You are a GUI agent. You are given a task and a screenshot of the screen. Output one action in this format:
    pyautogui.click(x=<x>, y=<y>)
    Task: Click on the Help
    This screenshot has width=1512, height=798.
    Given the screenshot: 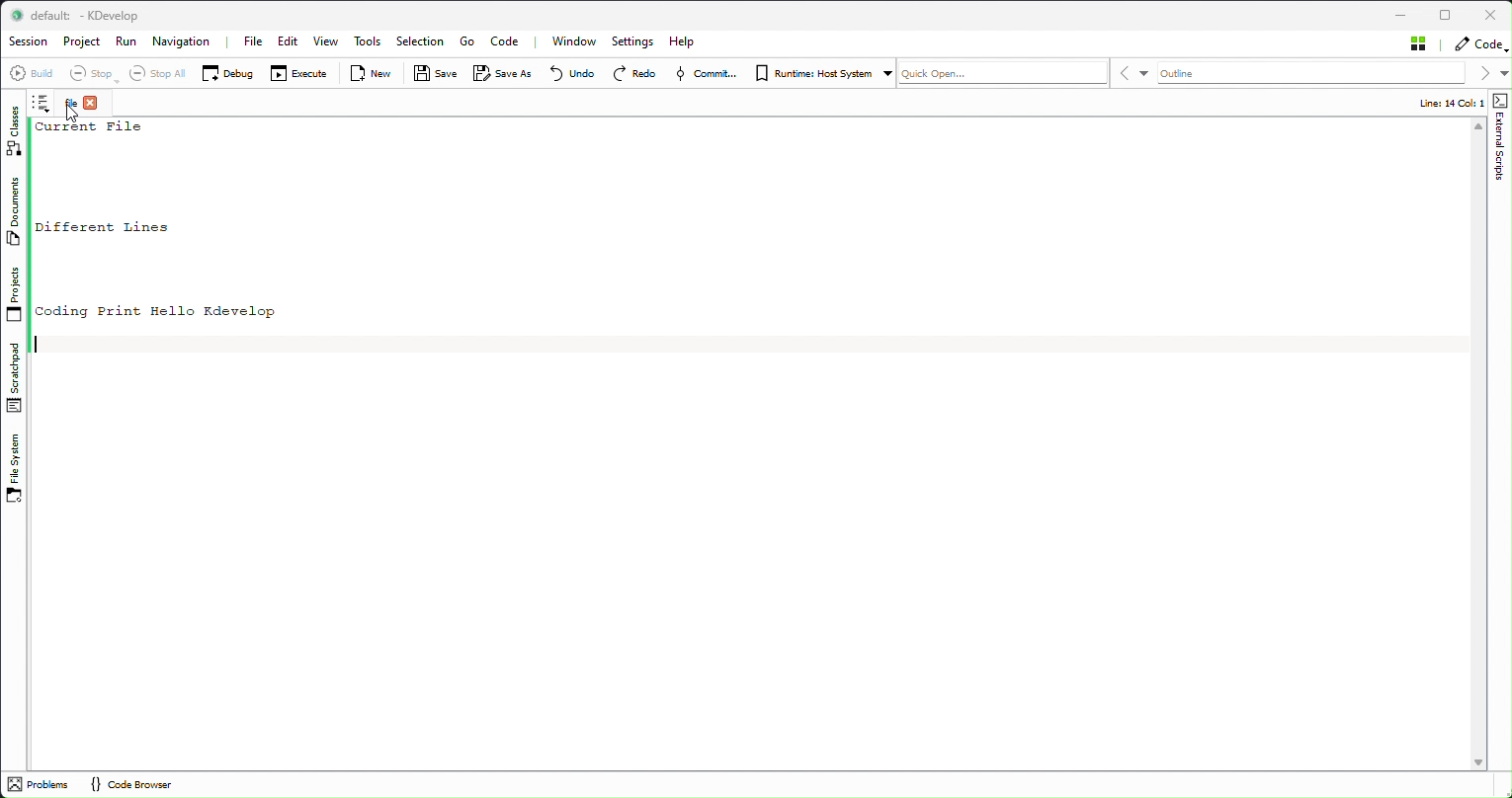 What is the action you would take?
    pyautogui.click(x=683, y=42)
    